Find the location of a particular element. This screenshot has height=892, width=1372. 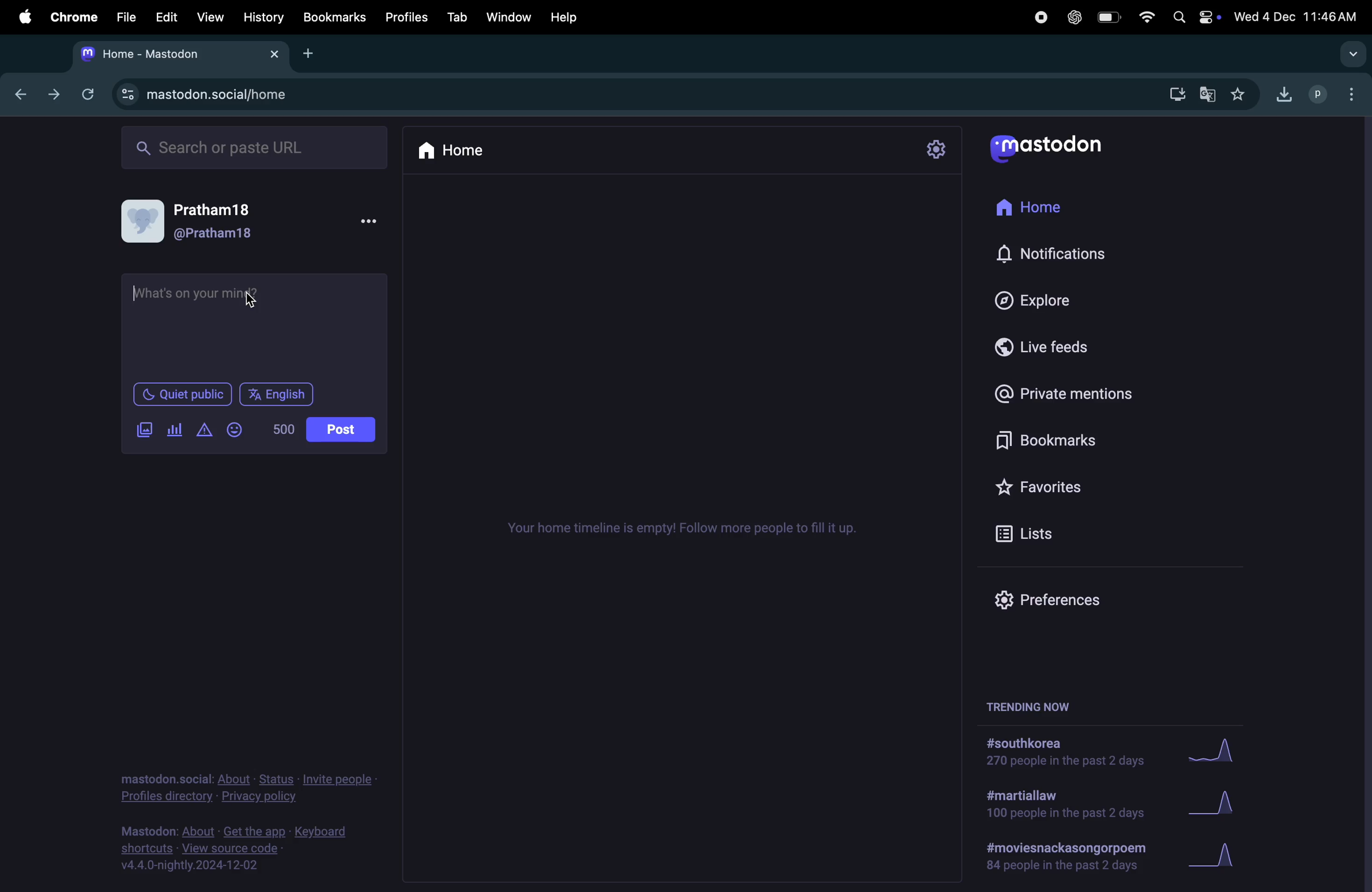

battery is located at coordinates (1108, 17).